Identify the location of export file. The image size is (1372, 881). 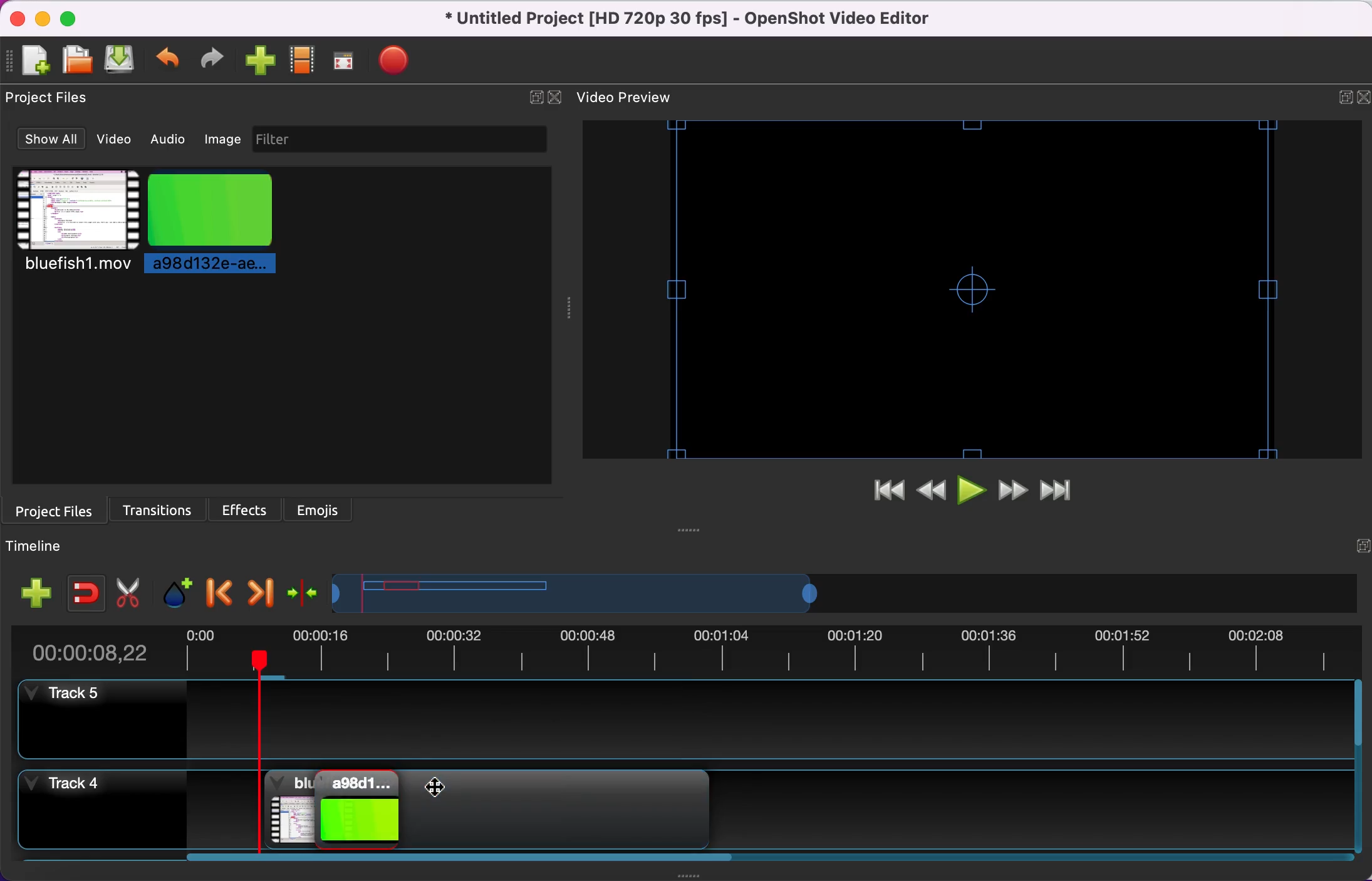
(397, 63).